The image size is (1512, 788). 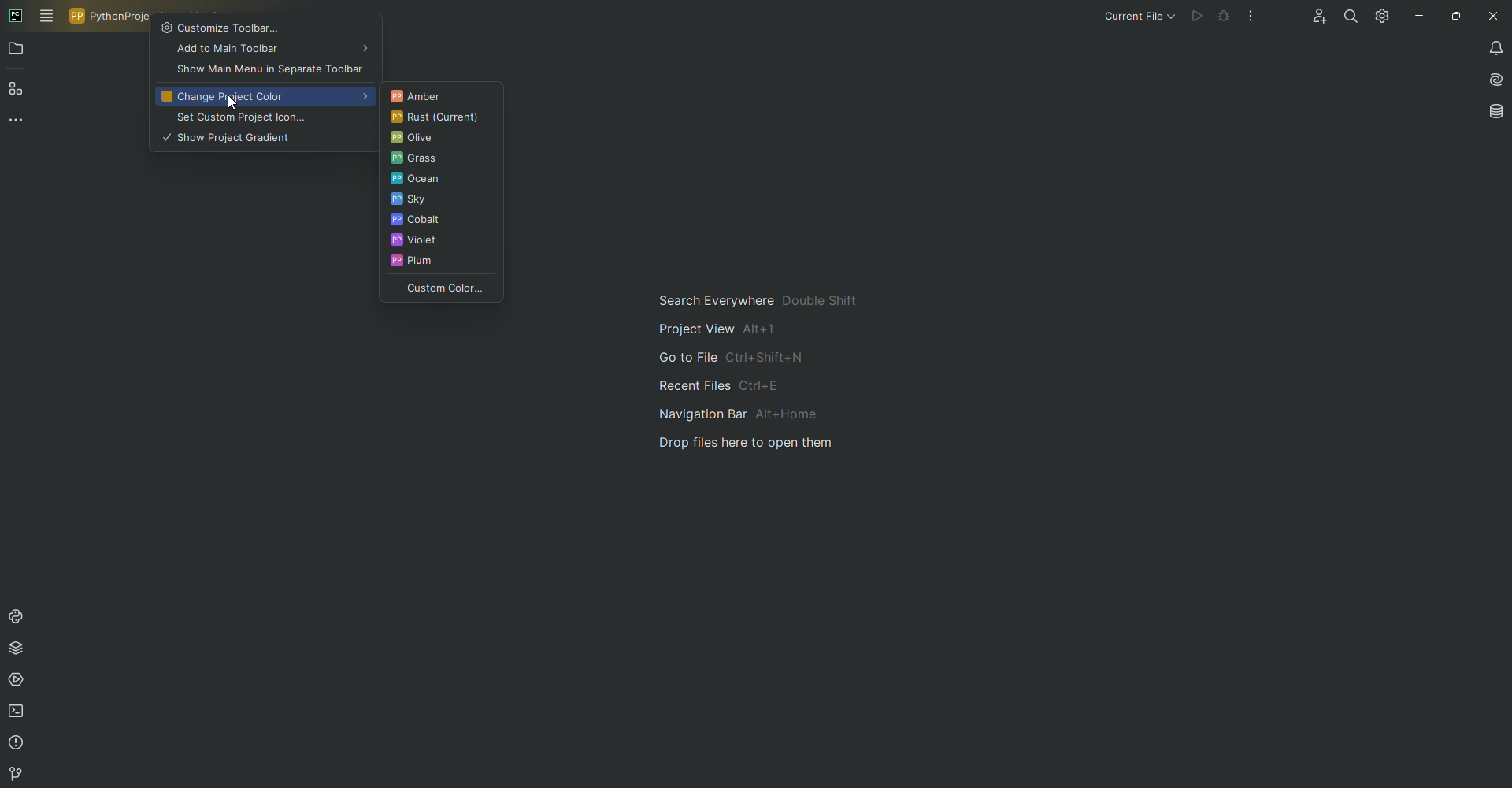 What do you see at coordinates (19, 124) in the screenshot?
I see `More Tools` at bounding box center [19, 124].